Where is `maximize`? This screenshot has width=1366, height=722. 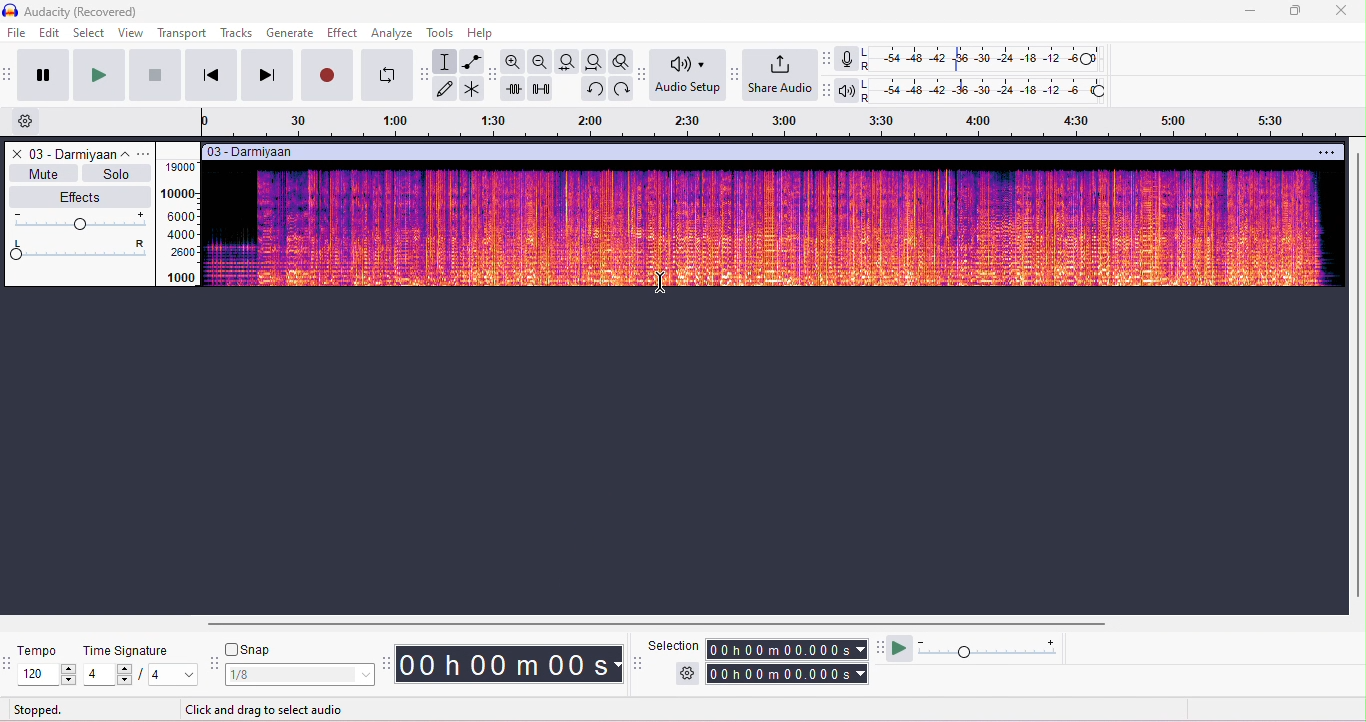
maximize is located at coordinates (1293, 11).